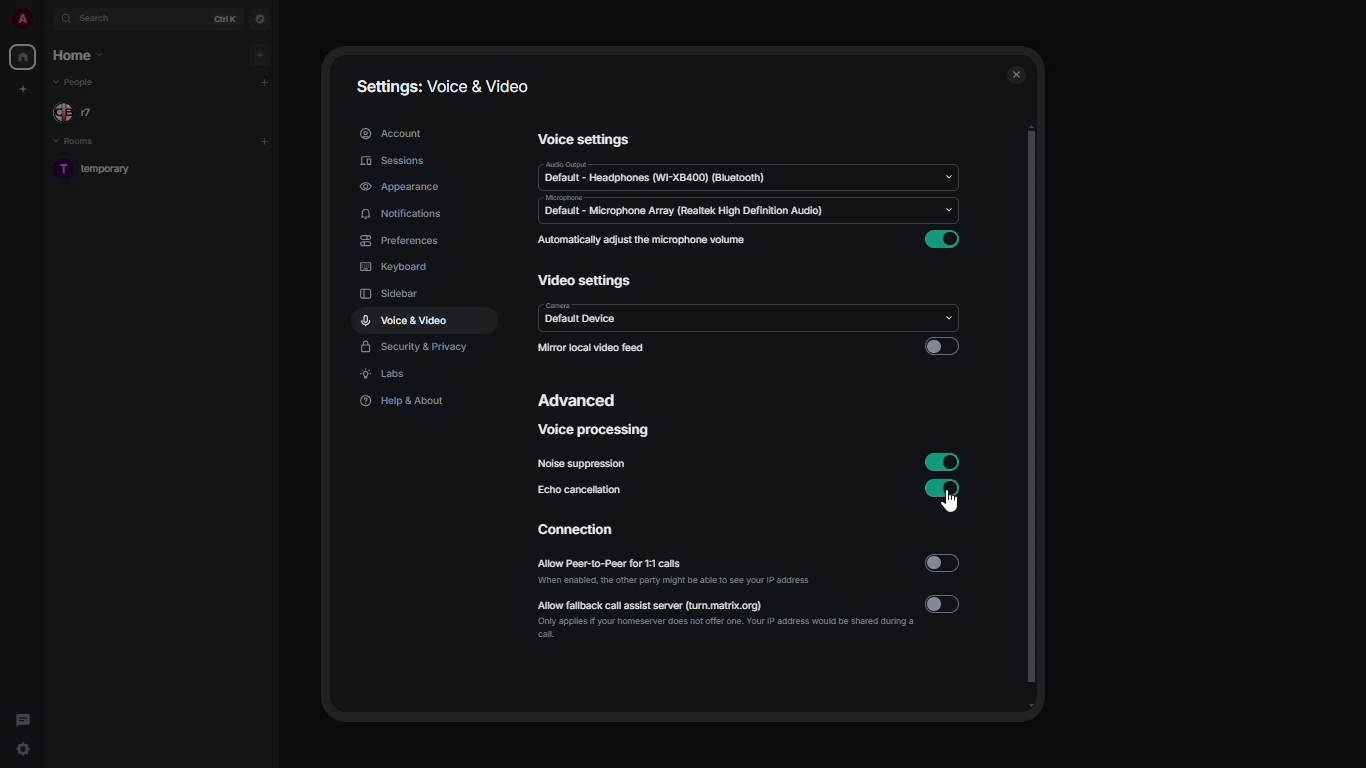  I want to click on room, so click(98, 170).